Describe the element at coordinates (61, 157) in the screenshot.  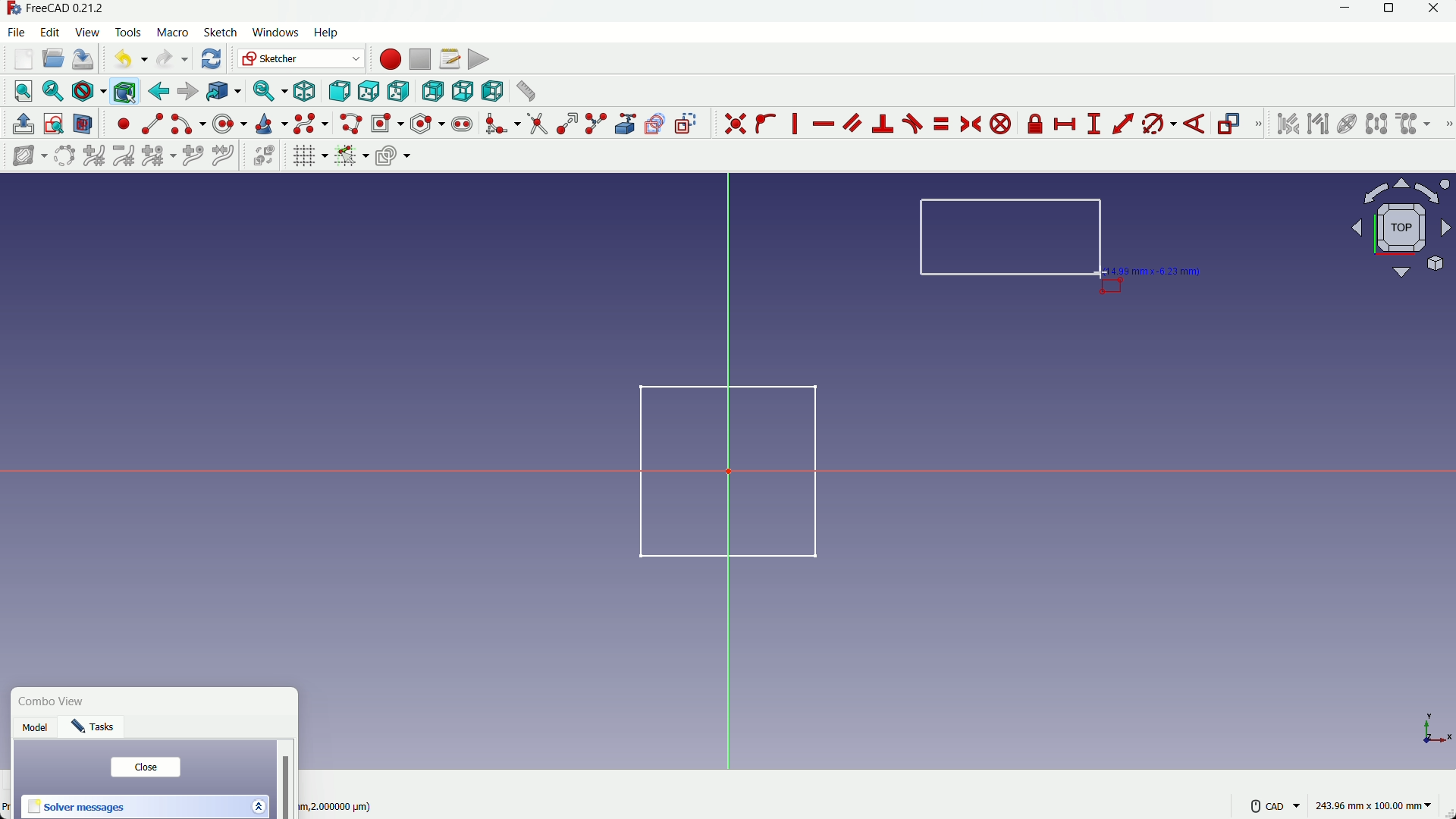
I see `convert geometry to B spiline` at that location.